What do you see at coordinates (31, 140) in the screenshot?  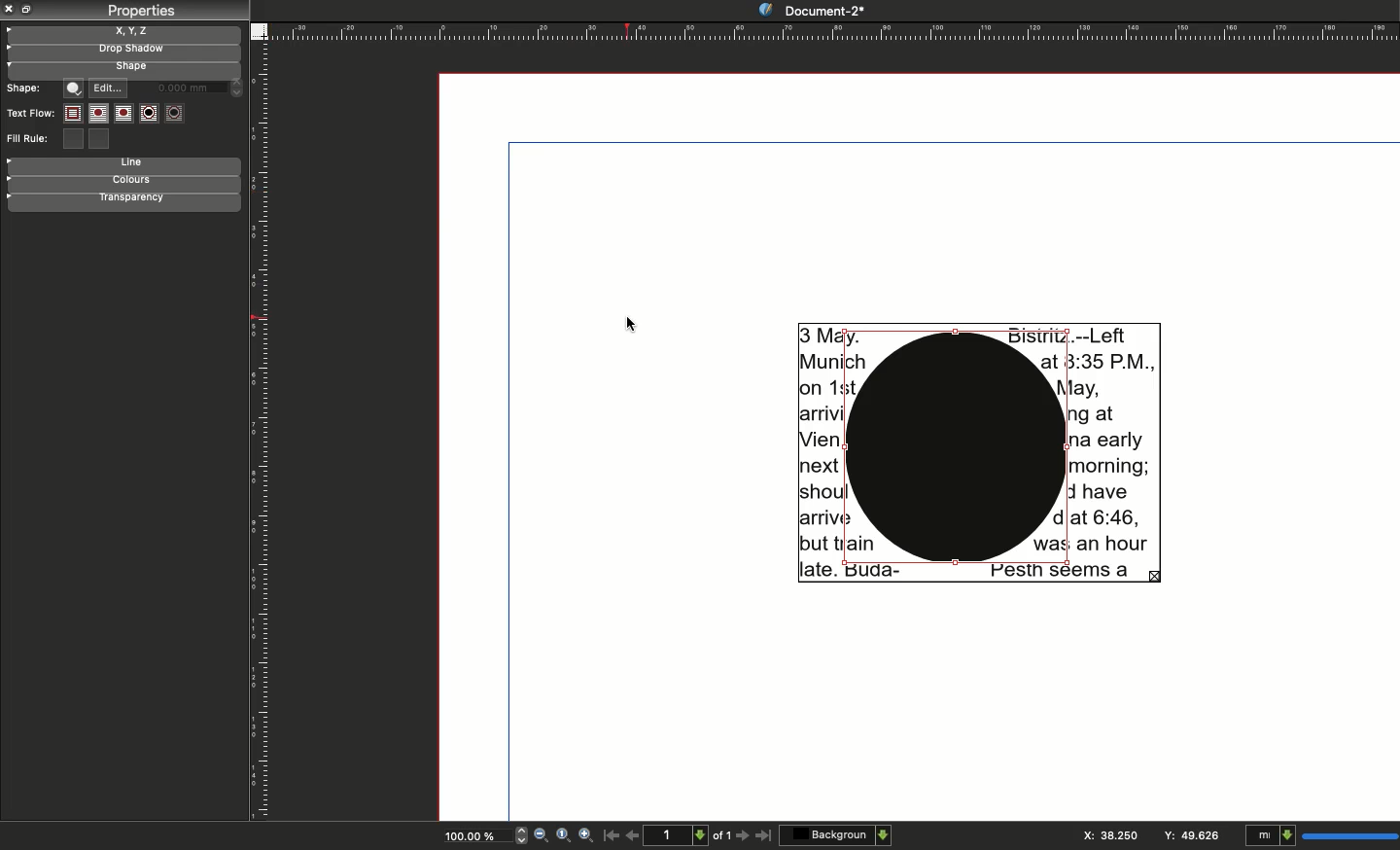 I see `Fill rule` at bounding box center [31, 140].